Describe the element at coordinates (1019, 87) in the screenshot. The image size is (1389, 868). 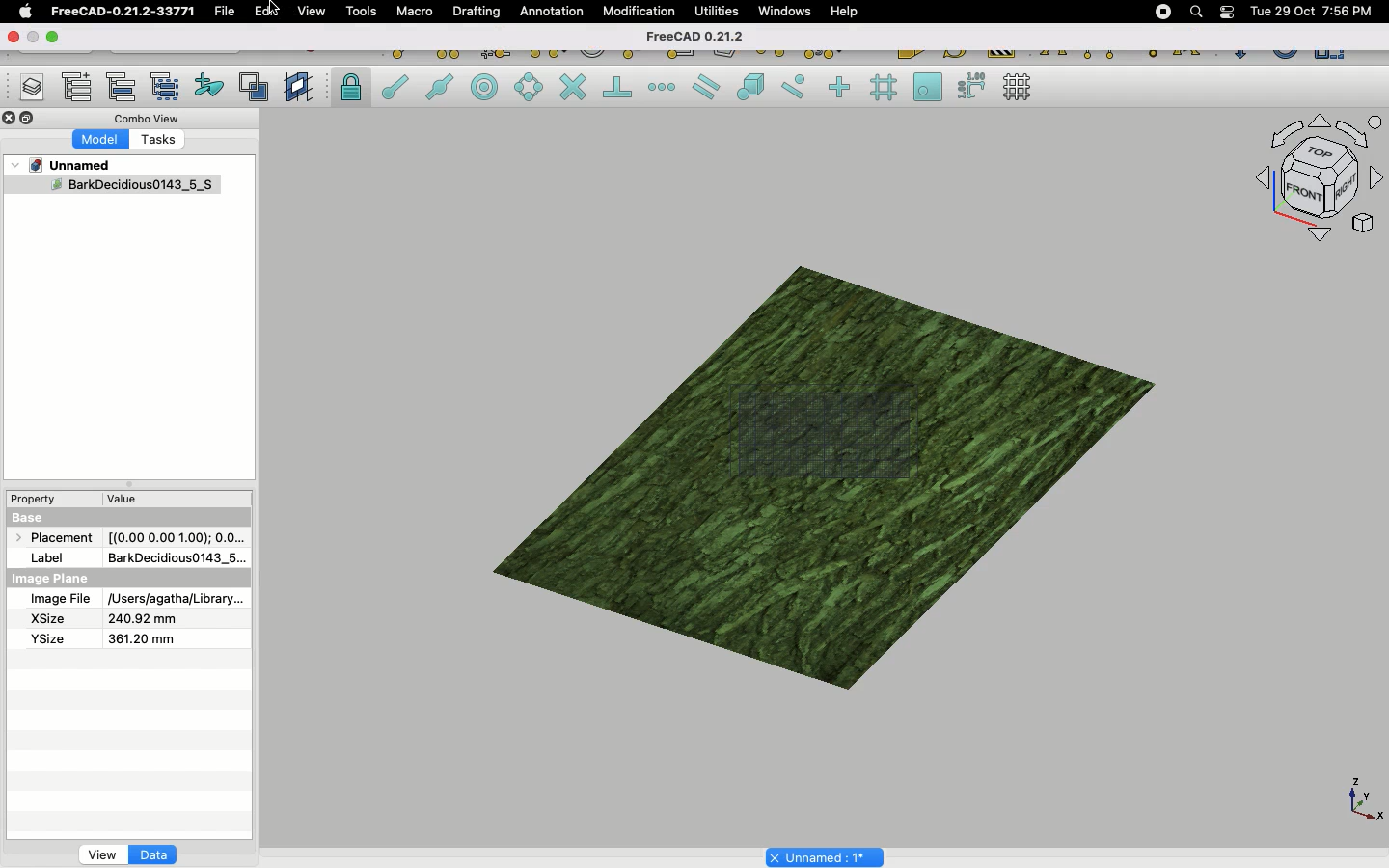
I see `Toggle grid` at that location.